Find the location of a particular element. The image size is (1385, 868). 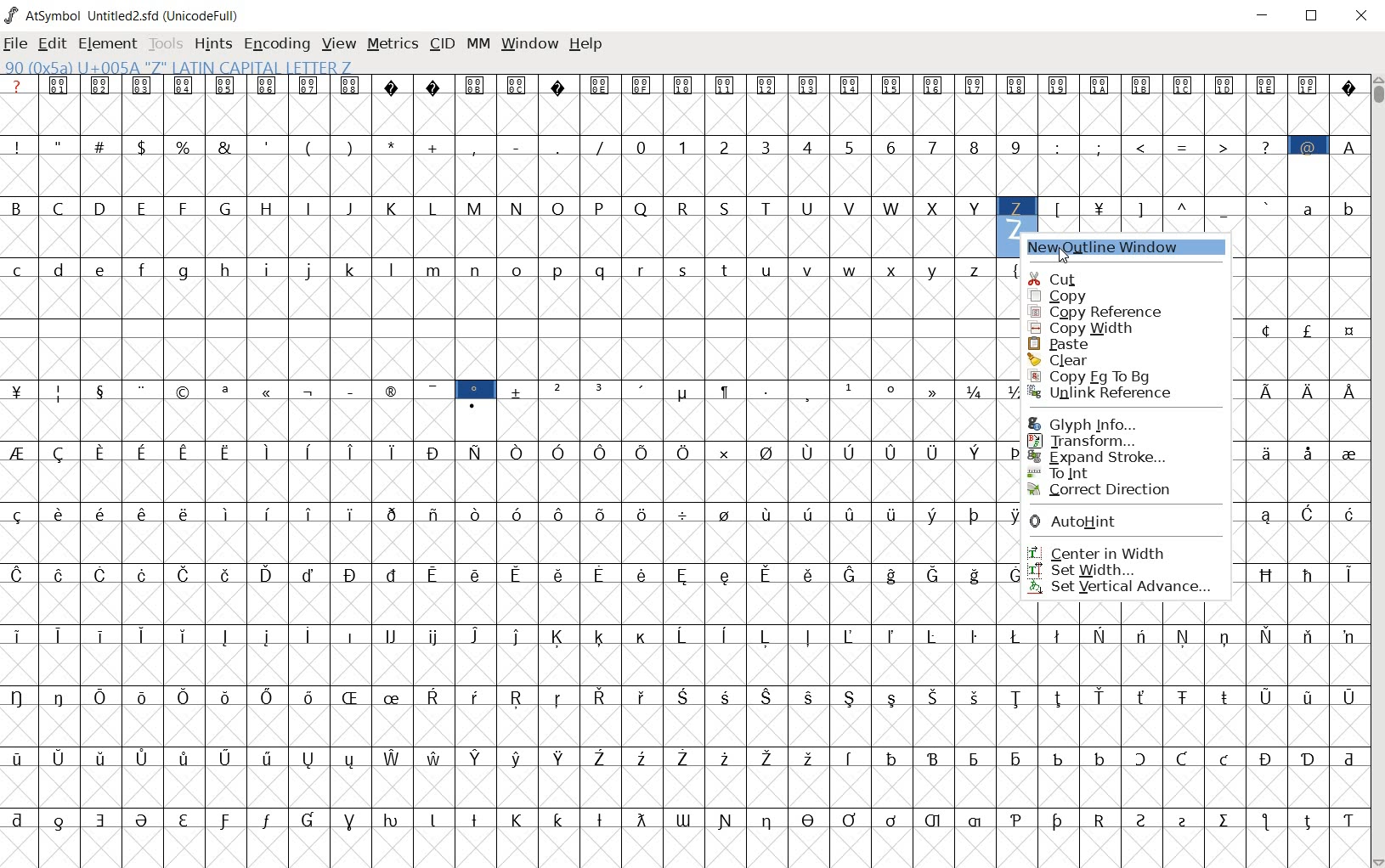

Transform is located at coordinates (1099, 441).